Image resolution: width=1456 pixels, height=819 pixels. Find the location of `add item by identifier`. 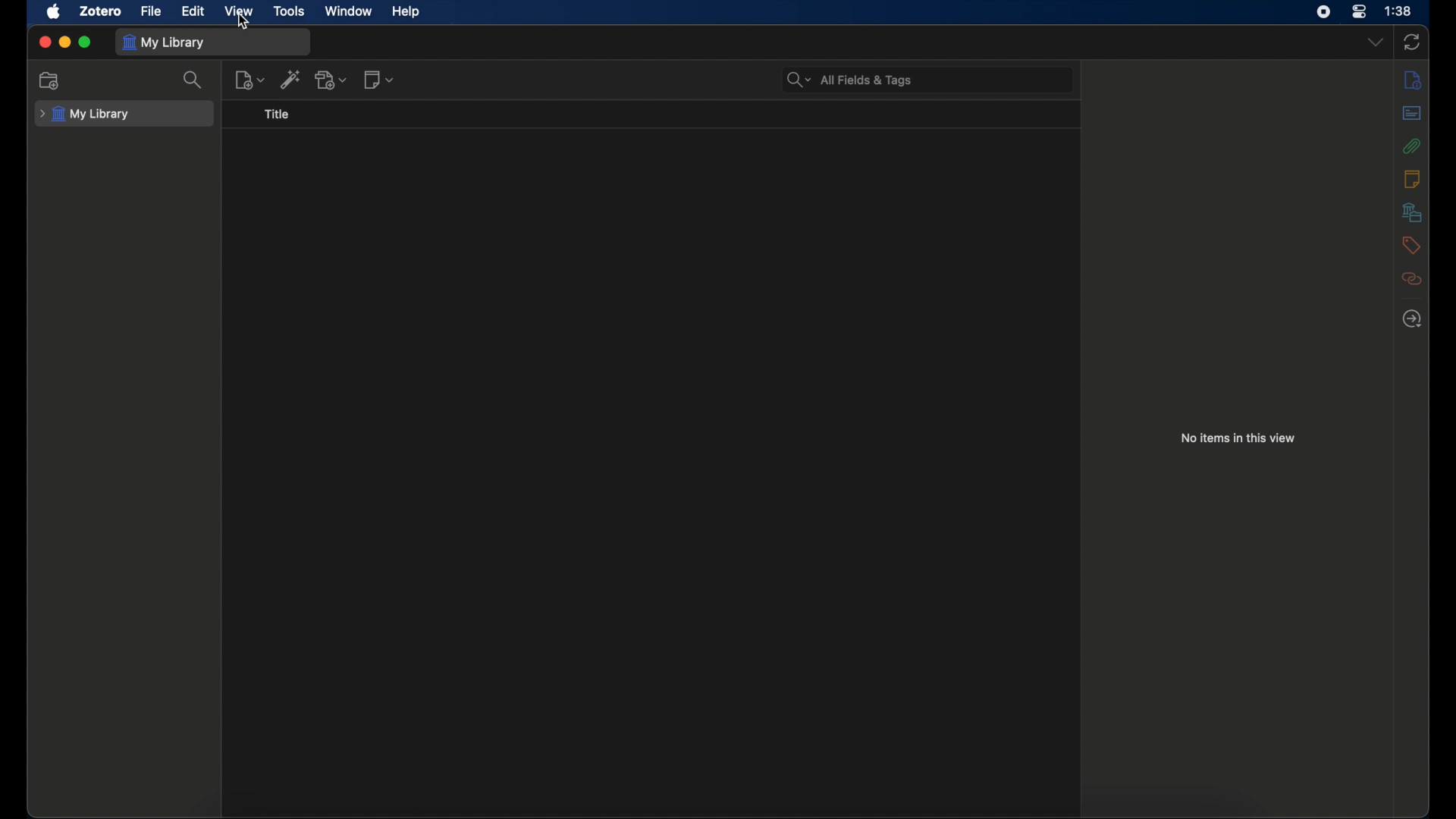

add item by identifier is located at coordinates (291, 79).